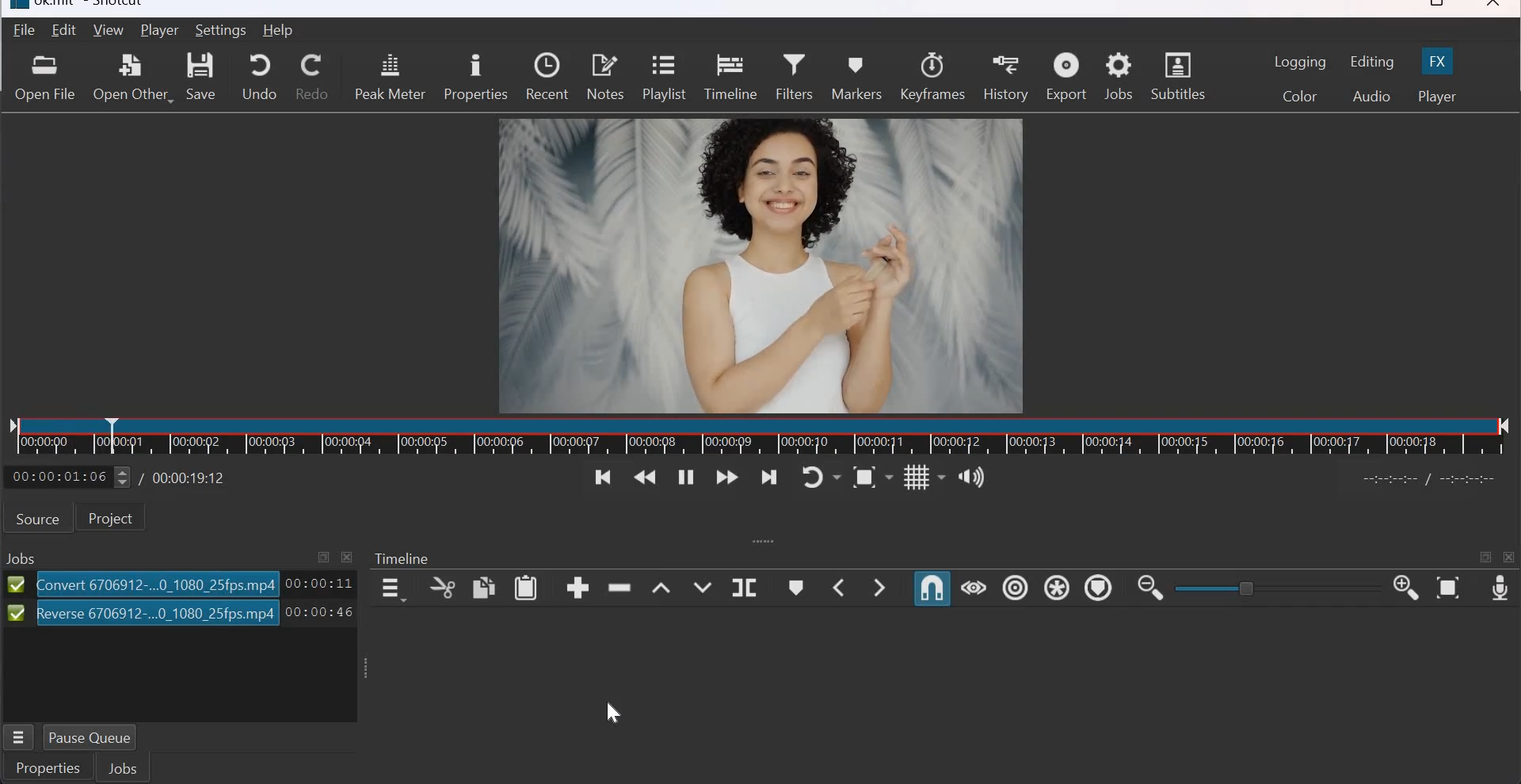 This screenshot has width=1521, height=784. Describe the element at coordinates (1485, 557) in the screenshot. I see `resize` at that location.